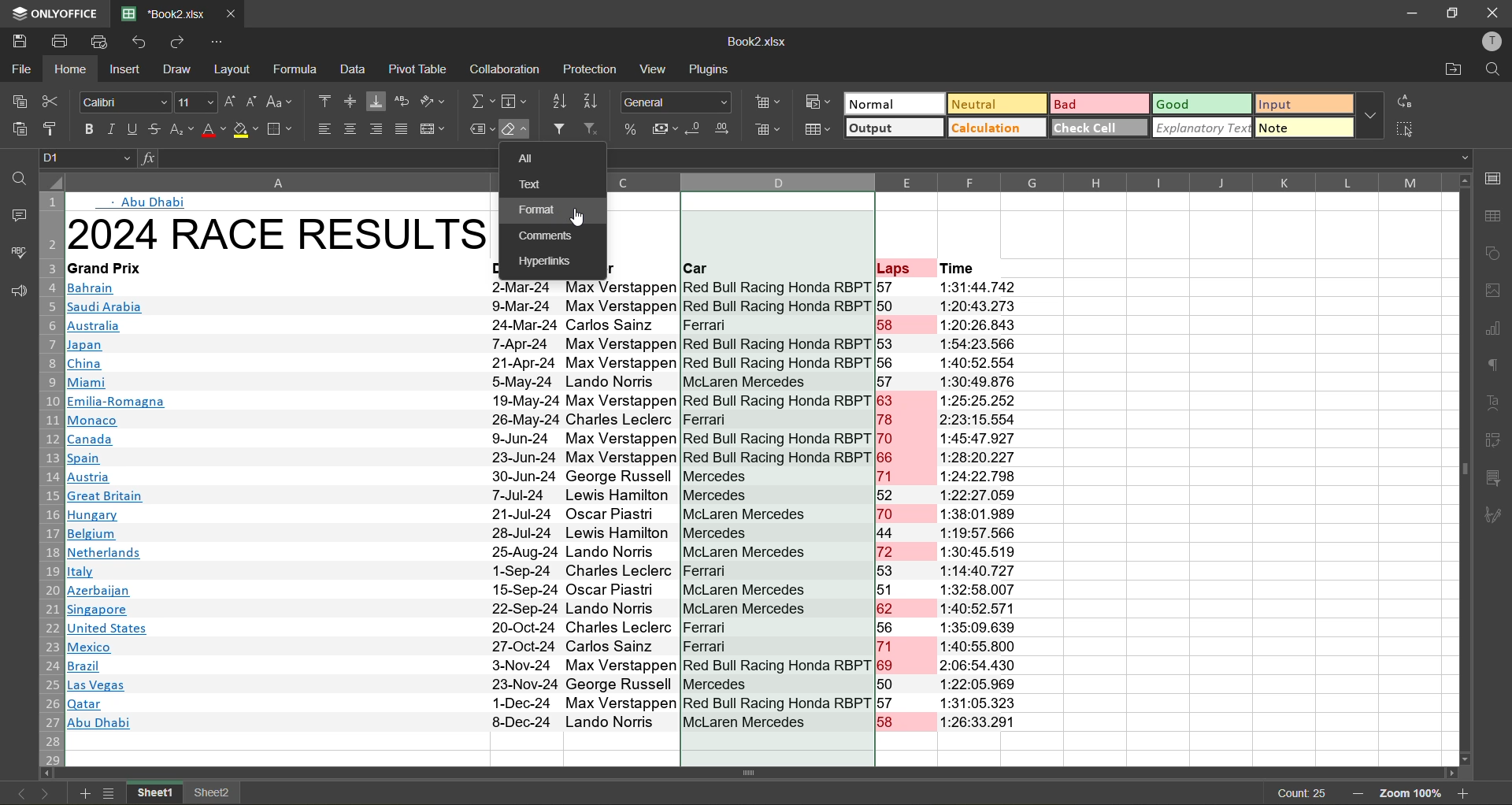  Describe the element at coordinates (222, 42) in the screenshot. I see `customize quick access toolbar` at that location.